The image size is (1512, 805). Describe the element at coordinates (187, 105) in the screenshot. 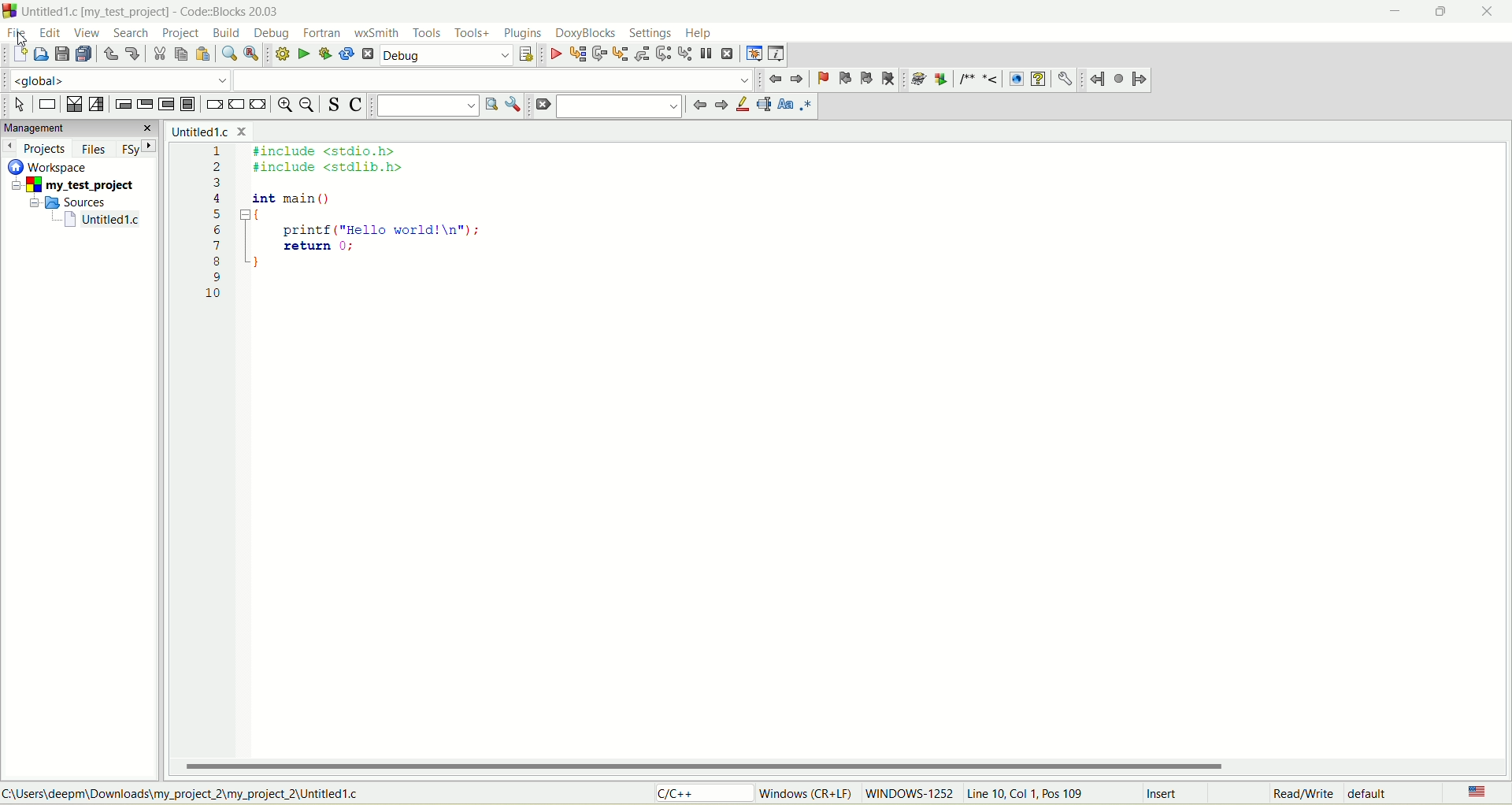

I see `block instruction` at that location.